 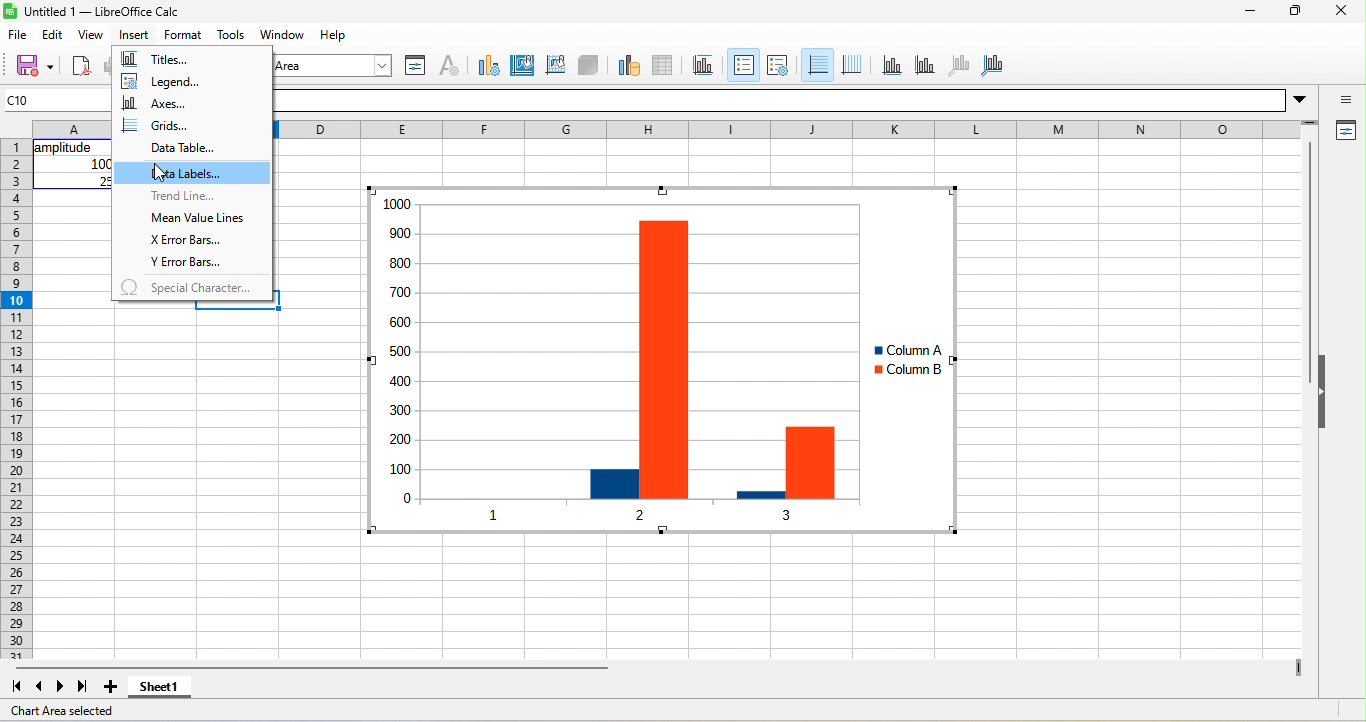 What do you see at coordinates (199, 220) in the screenshot?
I see `mean value lines` at bounding box center [199, 220].